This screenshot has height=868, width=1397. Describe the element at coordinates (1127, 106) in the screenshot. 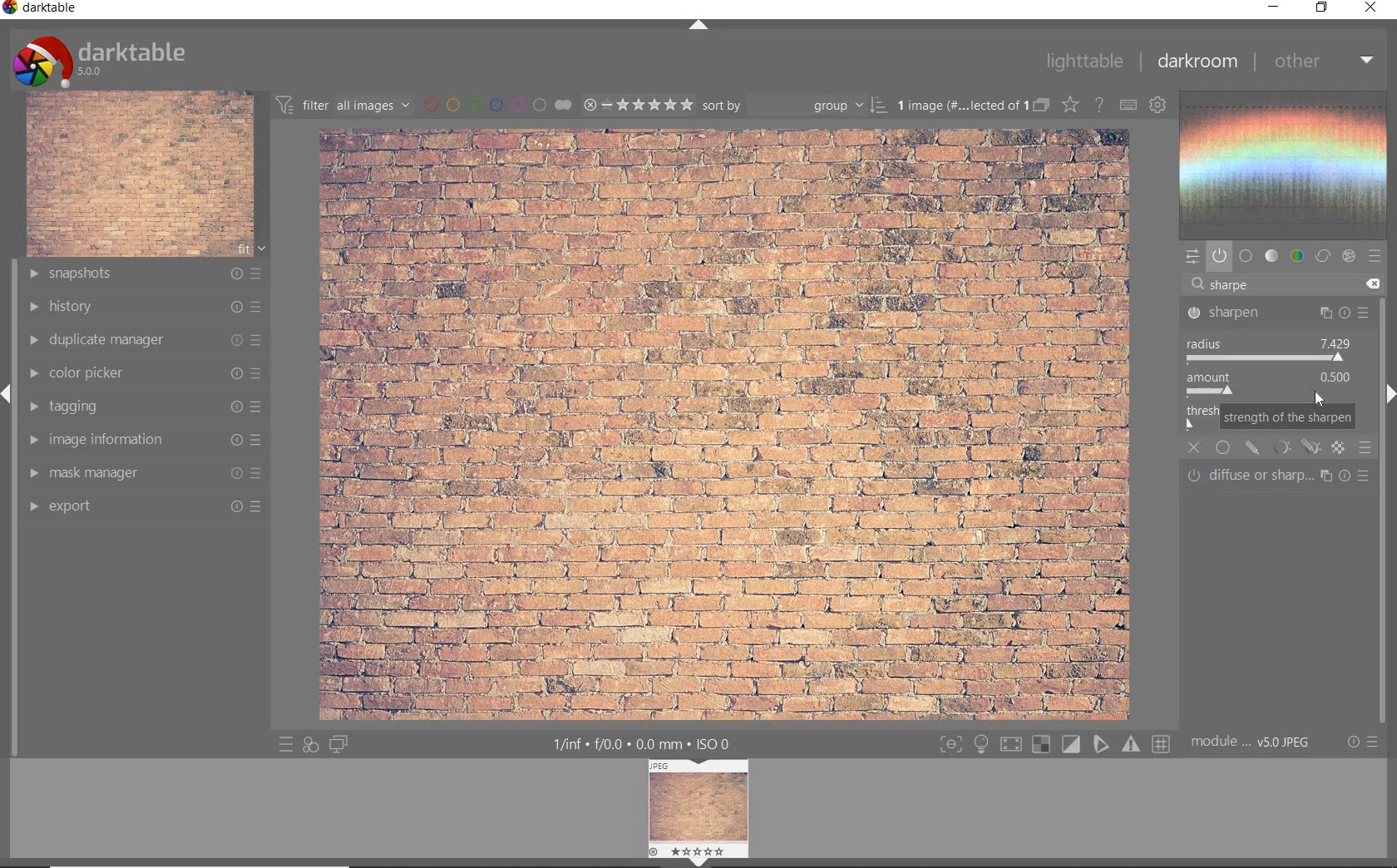

I see `define keyboard shortcut` at that location.